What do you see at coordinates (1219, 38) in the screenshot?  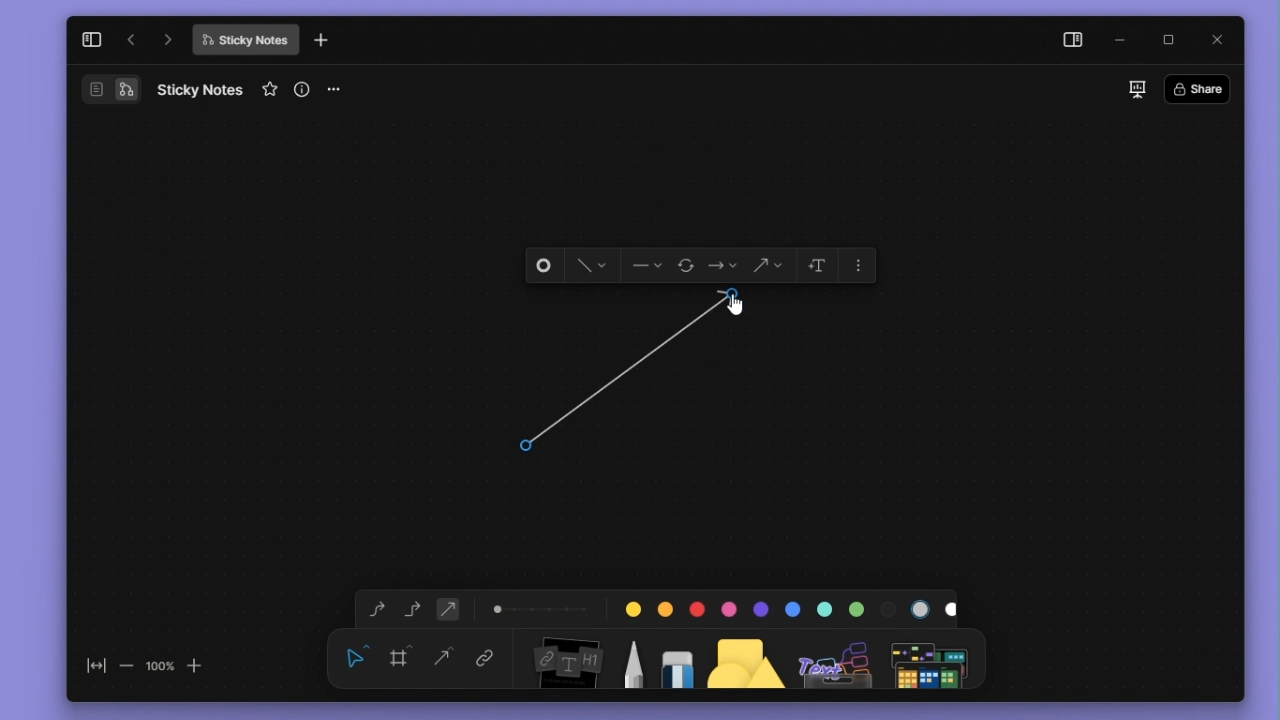 I see `close` at bounding box center [1219, 38].